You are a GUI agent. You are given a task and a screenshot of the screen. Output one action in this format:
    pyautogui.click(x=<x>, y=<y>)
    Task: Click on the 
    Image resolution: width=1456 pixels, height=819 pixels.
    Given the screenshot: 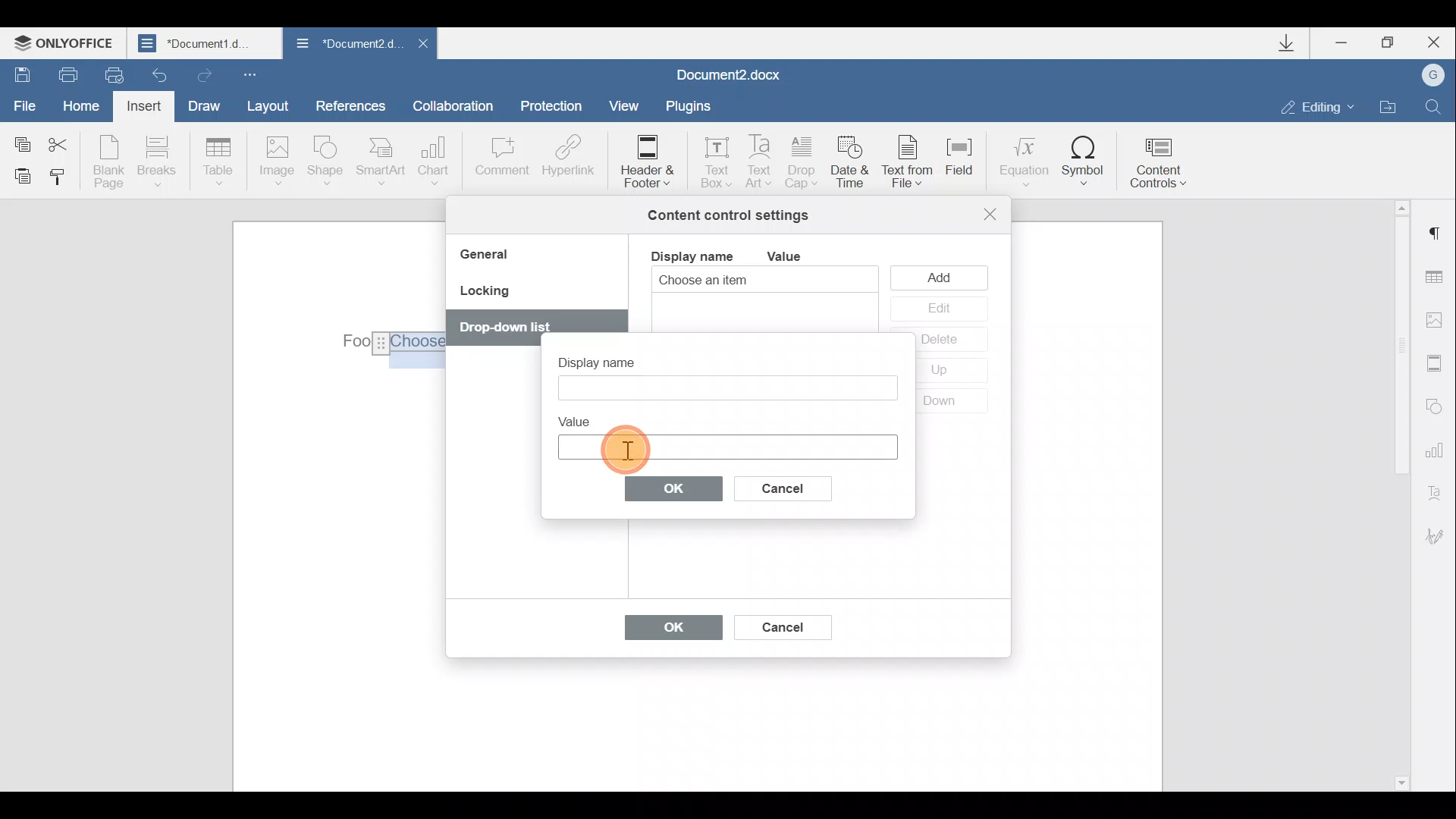 What is the action you would take?
    pyautogui.click(x=390, y=344)
    